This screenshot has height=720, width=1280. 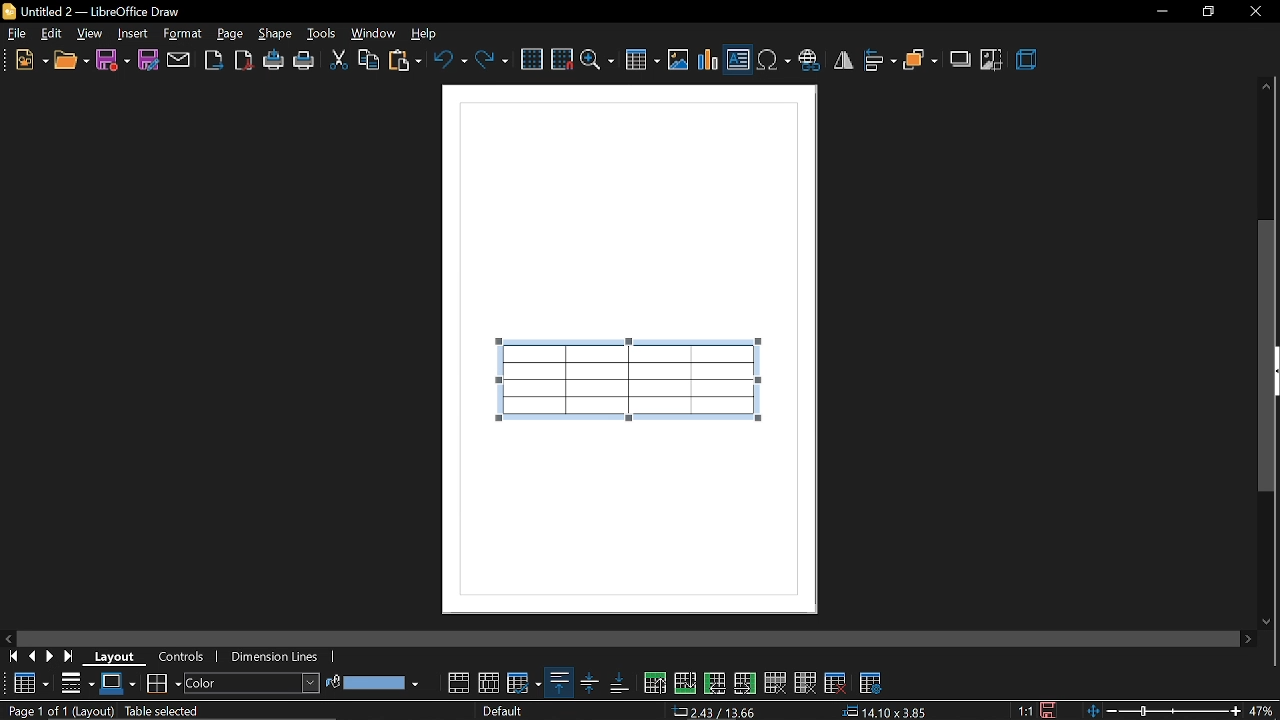 I want to click on help, so click(x=429, y=33).